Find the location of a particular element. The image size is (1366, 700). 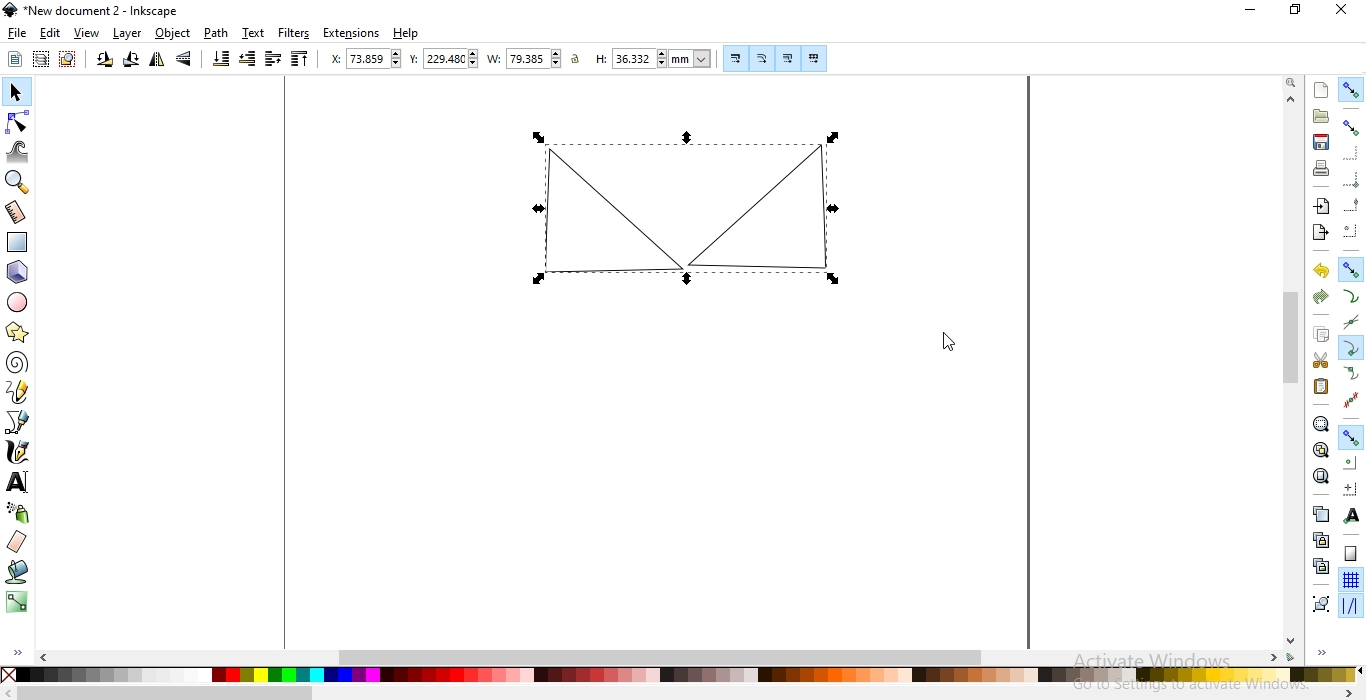

snap smooth nodes incl quadrant points of ellipses is located at coordinates (1351, 373).